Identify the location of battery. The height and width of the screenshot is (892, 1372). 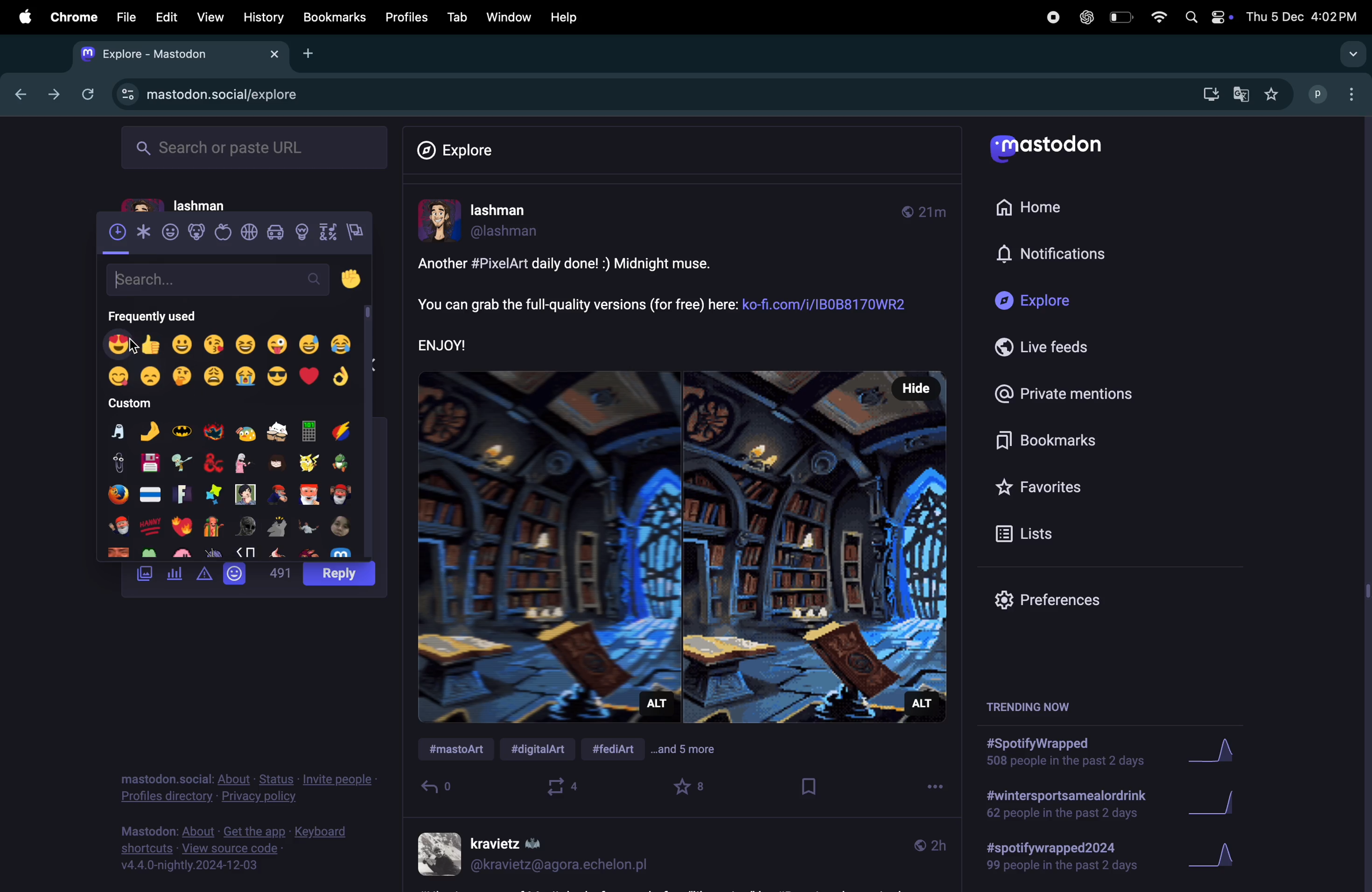
(1120, 16).